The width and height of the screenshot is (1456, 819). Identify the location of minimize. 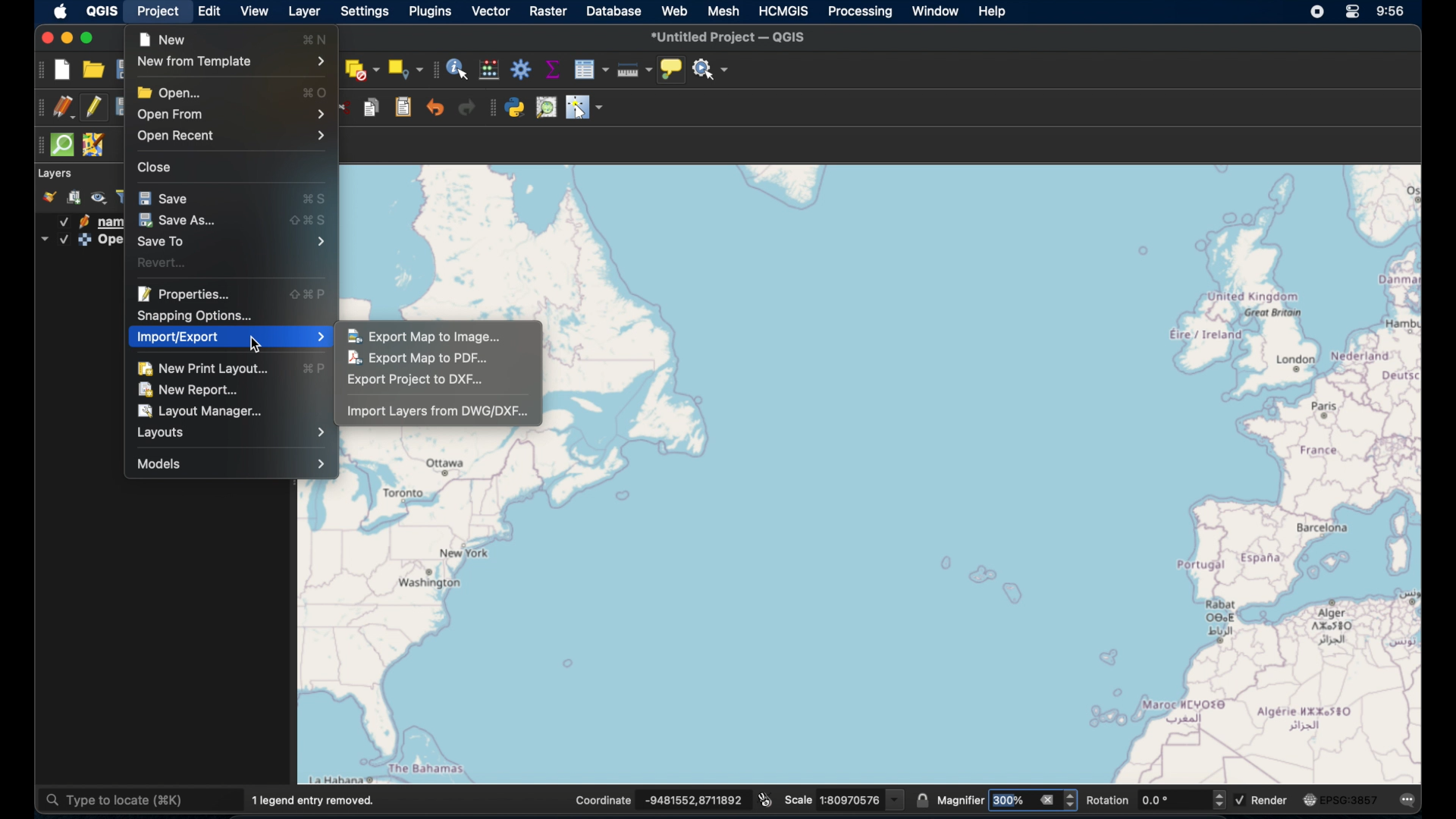
(67, 39).